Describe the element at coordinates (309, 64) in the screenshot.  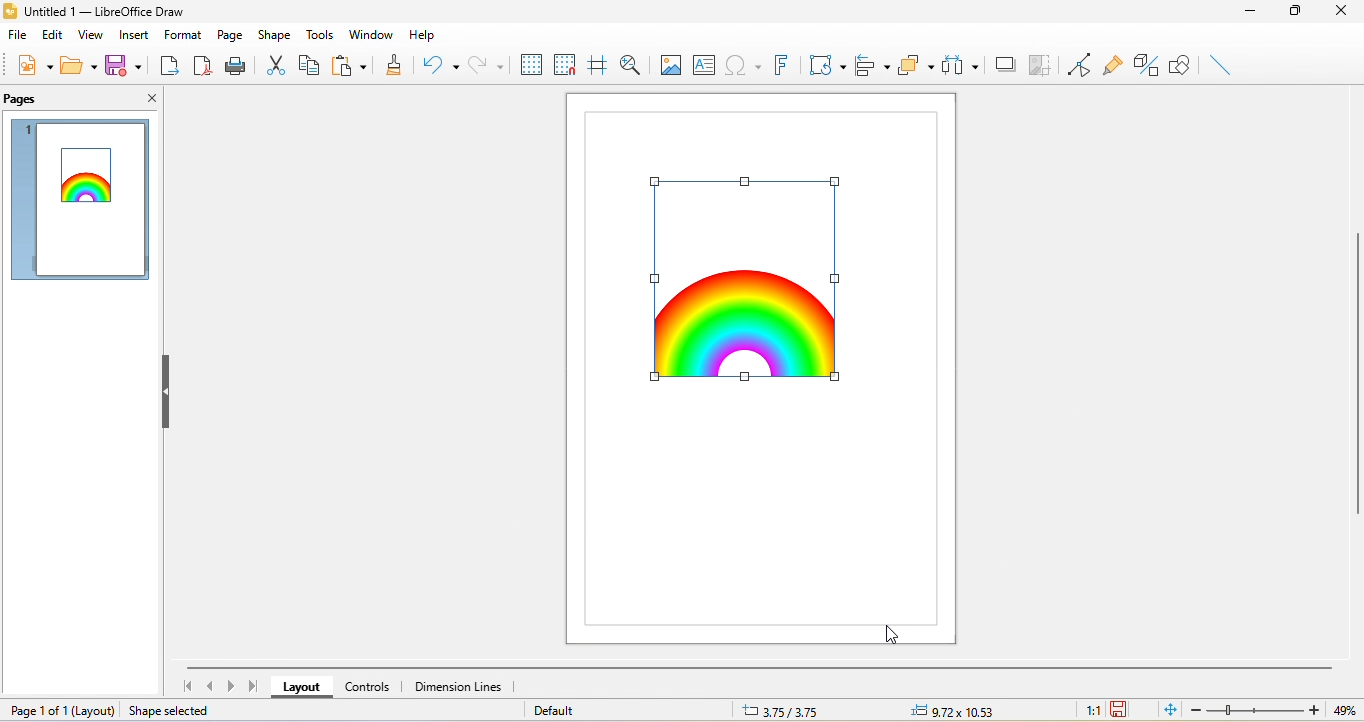
I see `copy` at that location.